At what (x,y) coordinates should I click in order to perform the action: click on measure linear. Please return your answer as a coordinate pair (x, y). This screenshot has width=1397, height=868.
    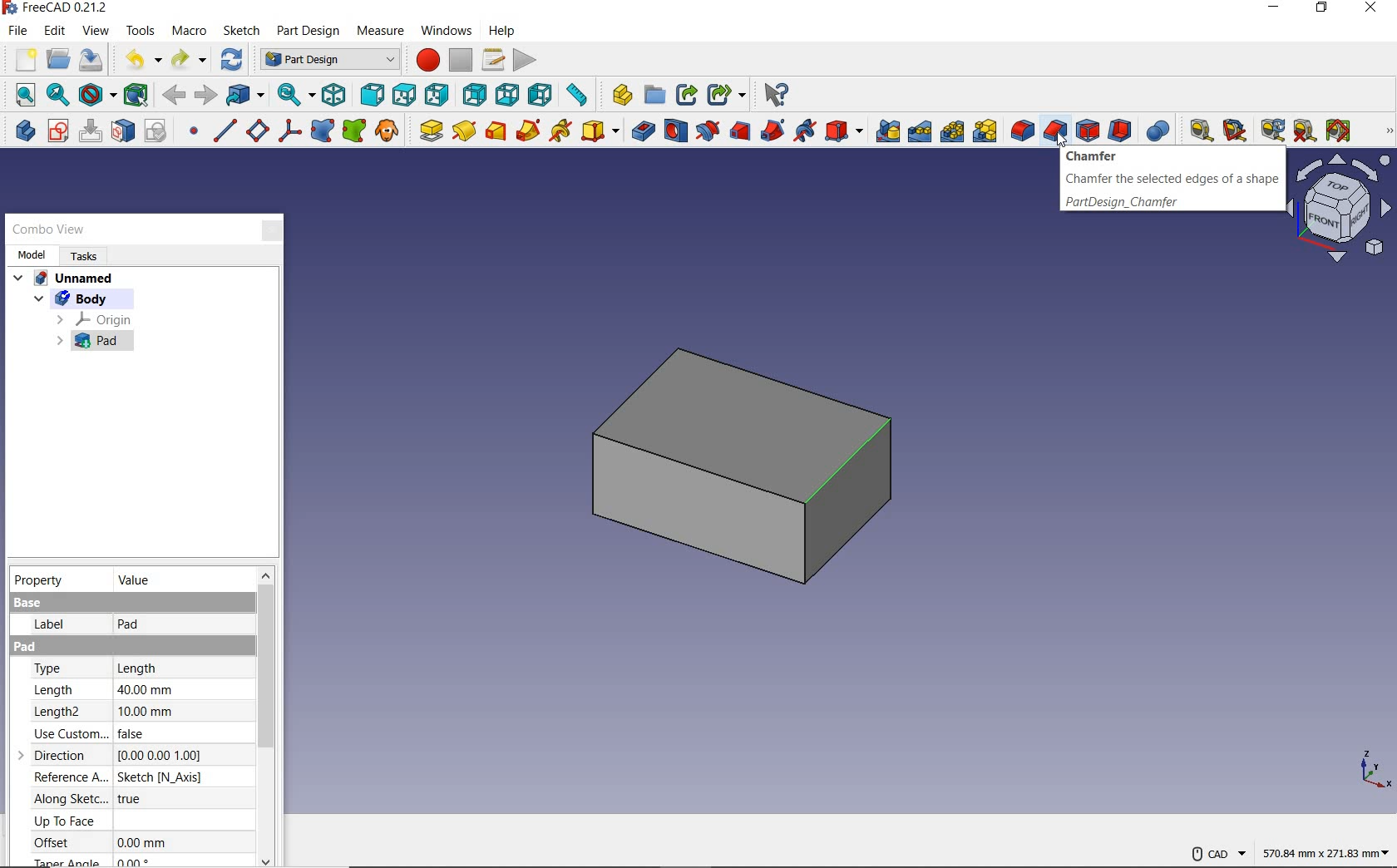
    Looking at the image, I should click on (1196, 129).